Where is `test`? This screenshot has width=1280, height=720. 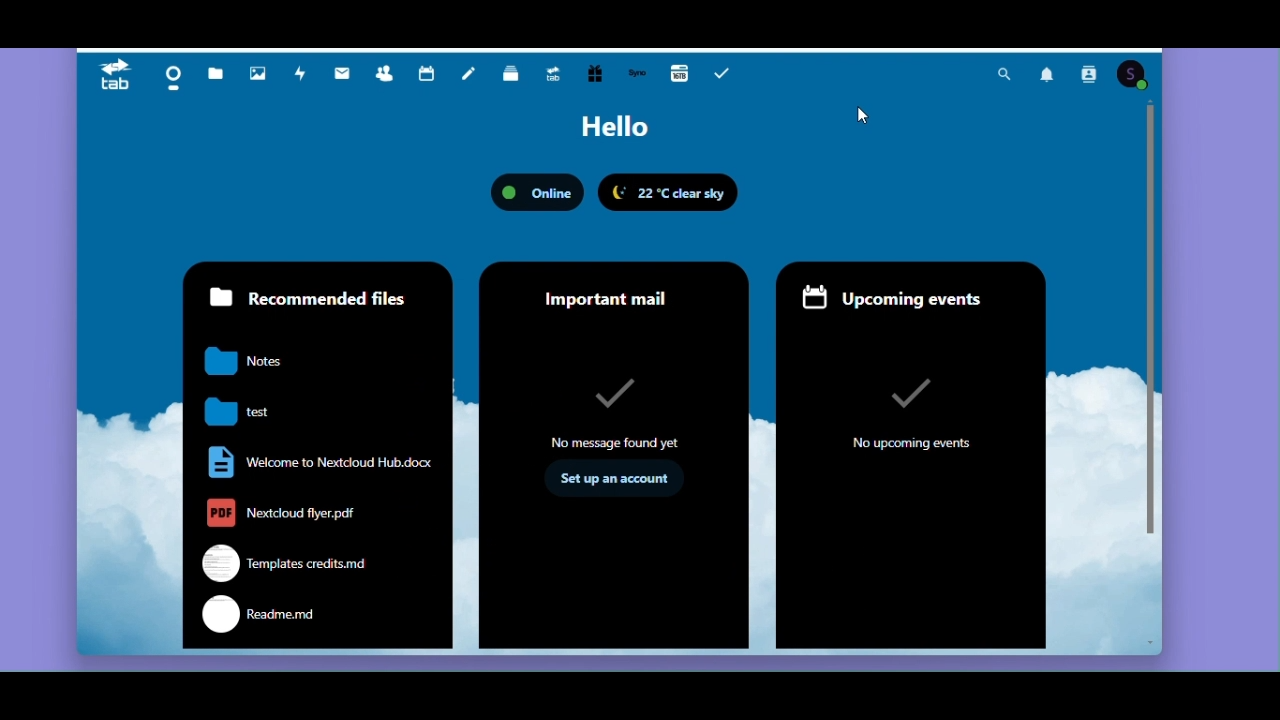 test is located at coordinates (259, 409).